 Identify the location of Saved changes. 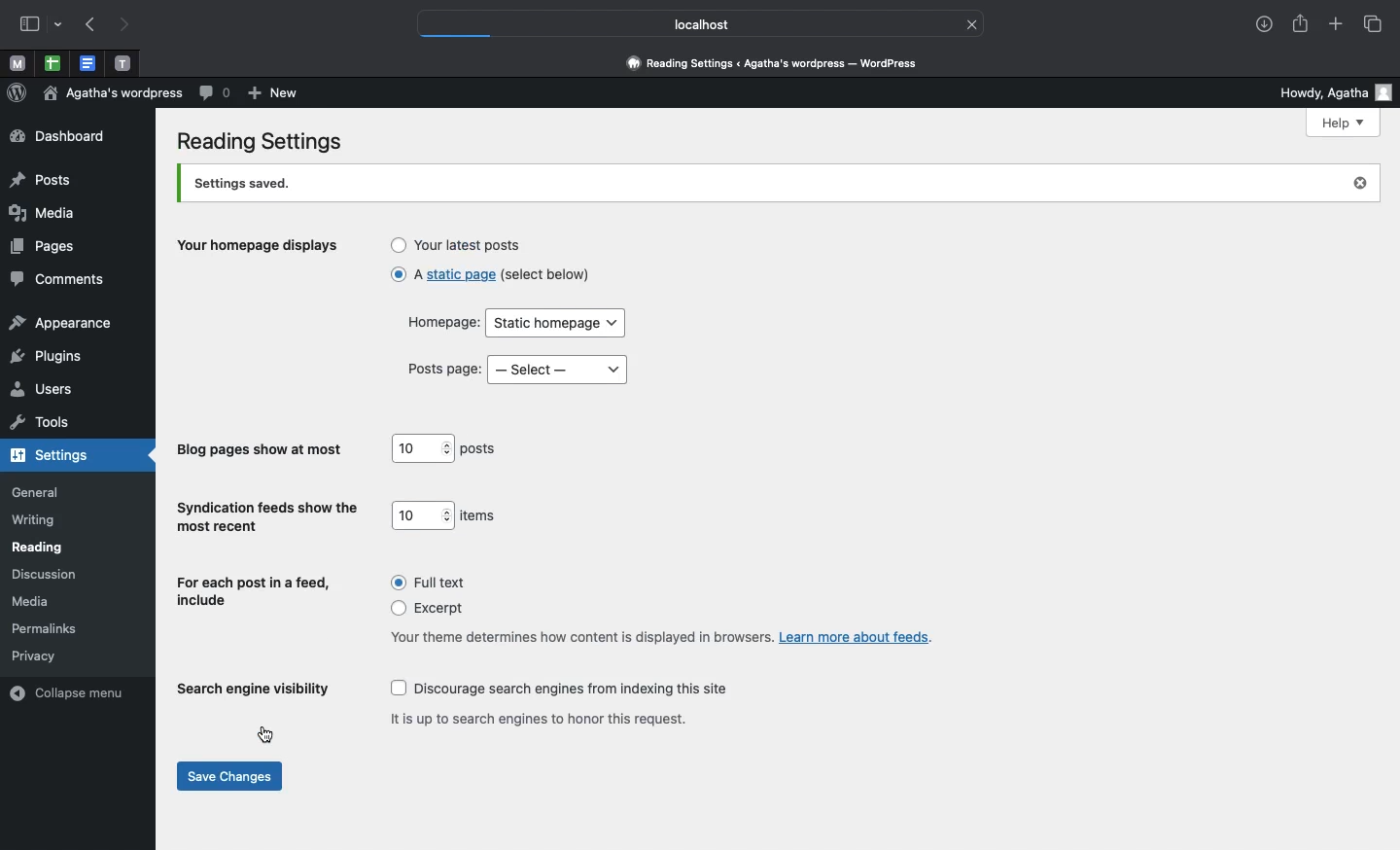
(230, 776).